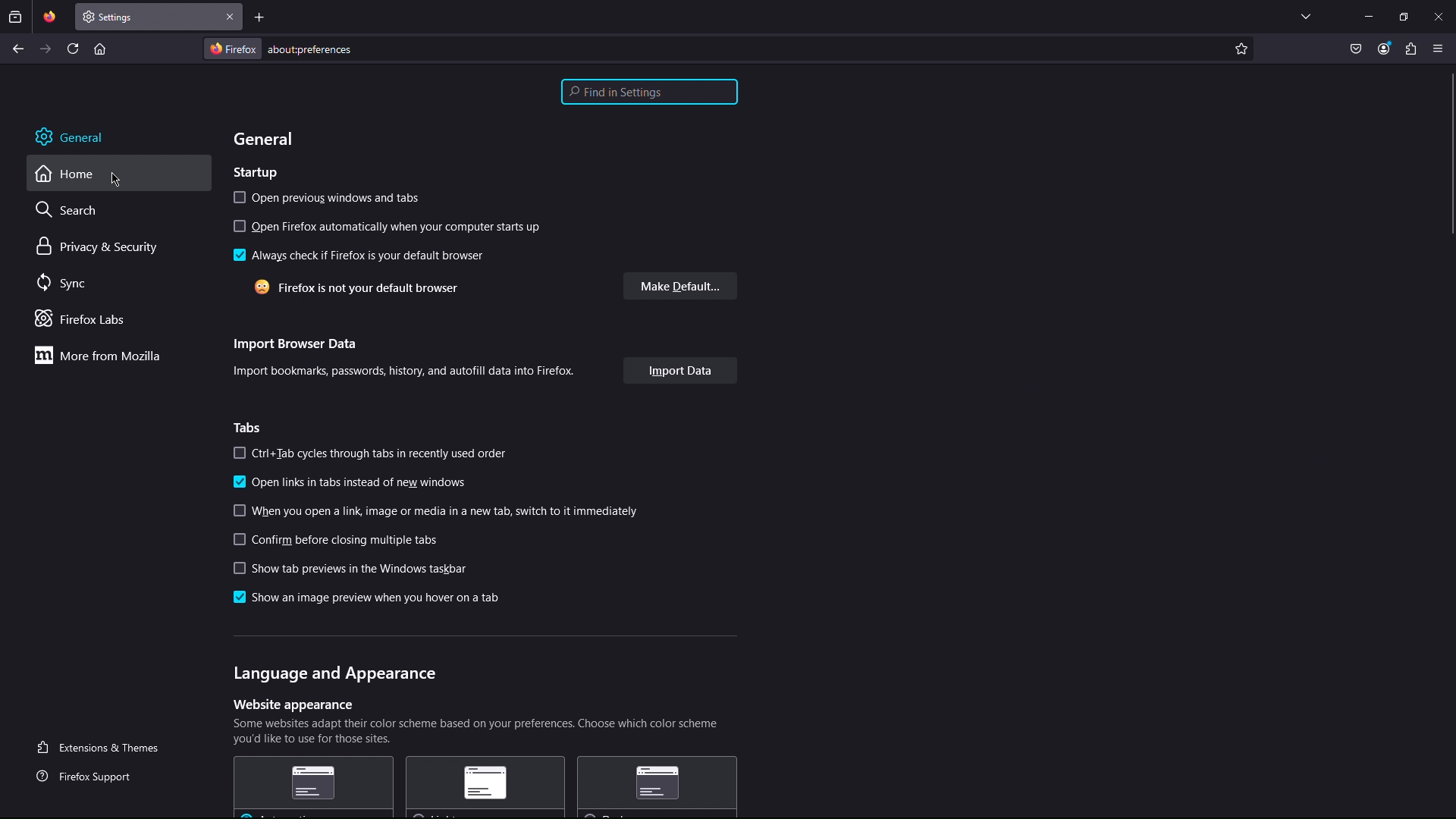  Describe the element at coordinates (231, 17) in the screenshot. I see `Close` at that location.